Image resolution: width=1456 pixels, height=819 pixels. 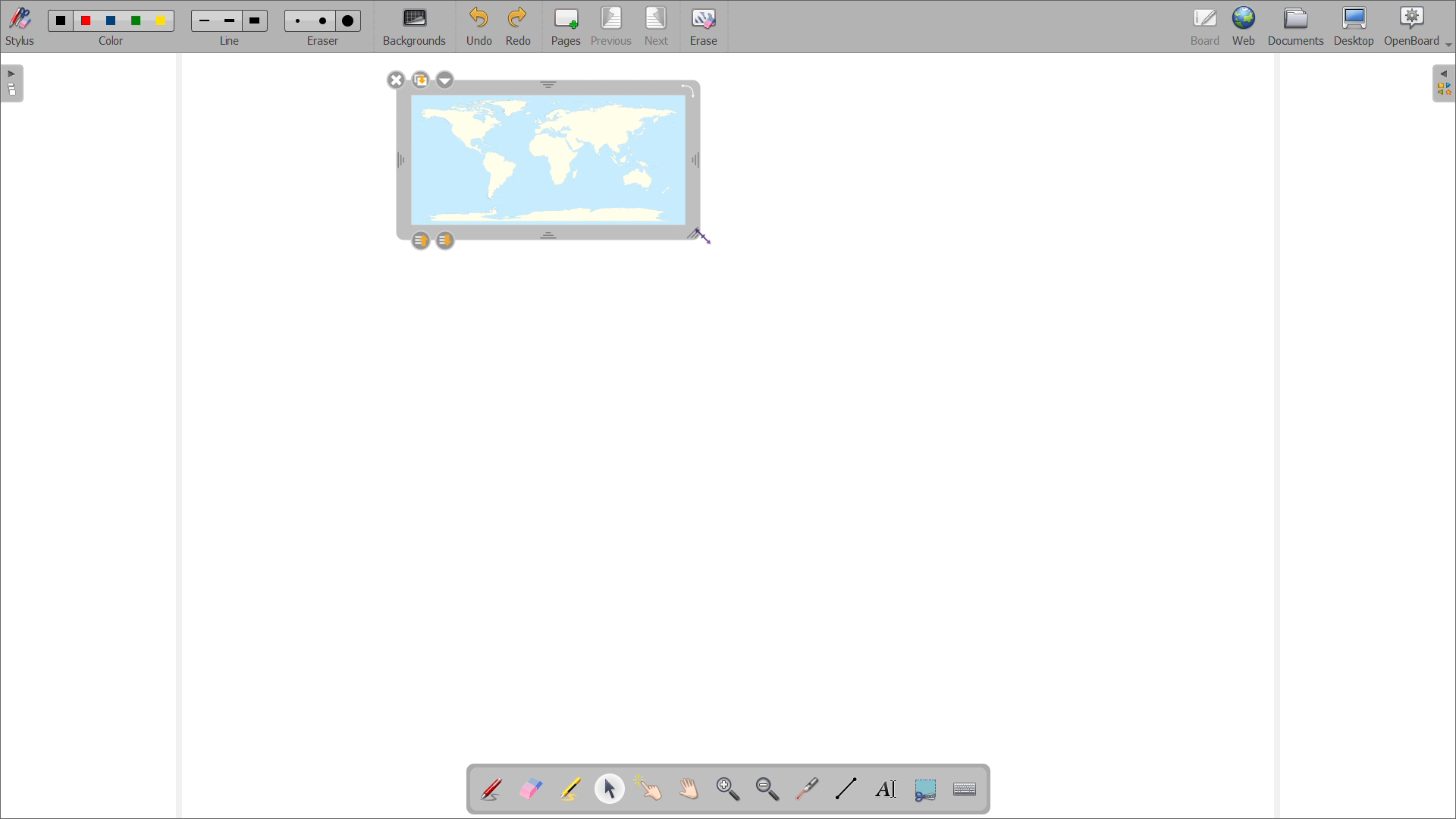 What do you see at coordinates (1205, 27) in the screenshot?
I see `board` at bounding box center [1205, 27].